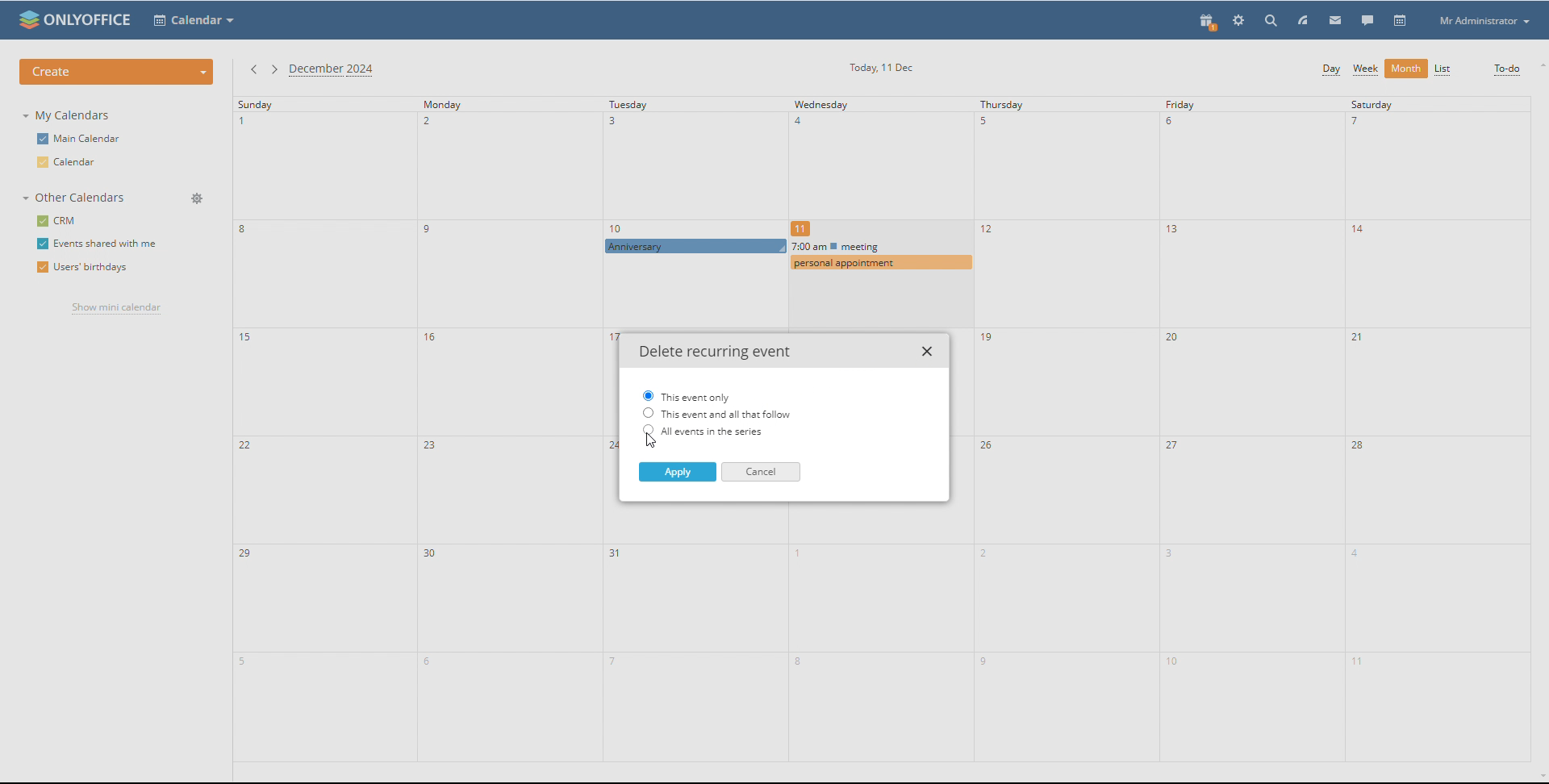 This screenshot has width=1549, height=784. What do you see at coordinates (717, 413) in the screenshot?
I see `this event and all that follow` at bounding box center [717, 413].